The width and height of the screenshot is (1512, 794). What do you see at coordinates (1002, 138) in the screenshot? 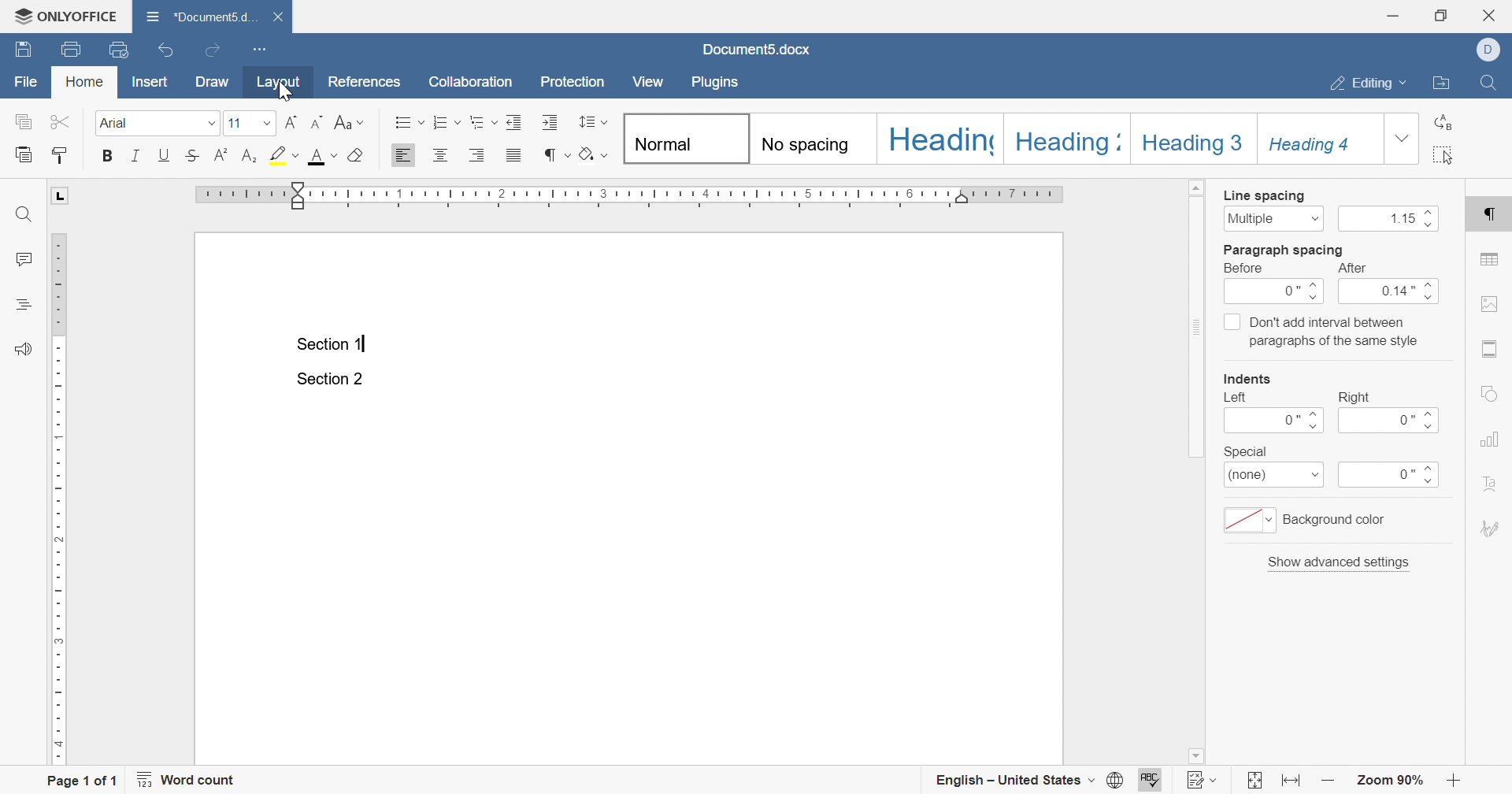
I see `Headings` at bounding box center [1002, 138].